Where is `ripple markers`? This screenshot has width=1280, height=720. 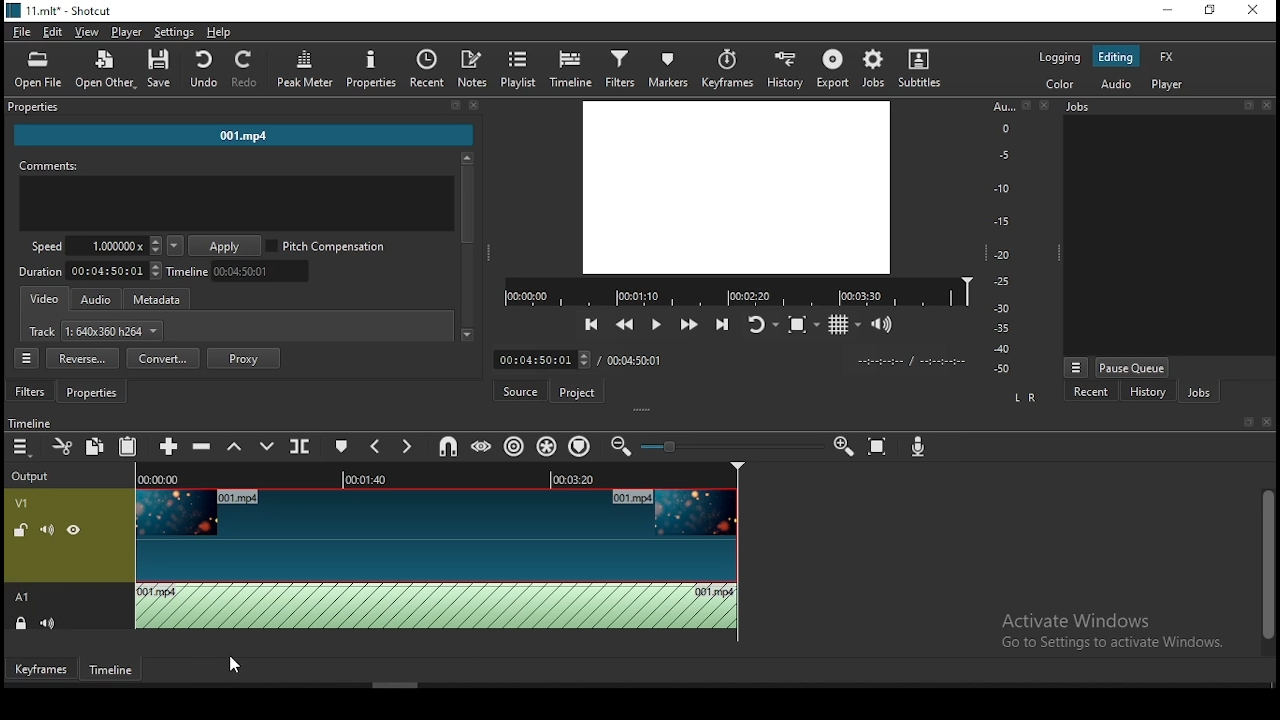 ripple markers is located at coordinates (582, 444).